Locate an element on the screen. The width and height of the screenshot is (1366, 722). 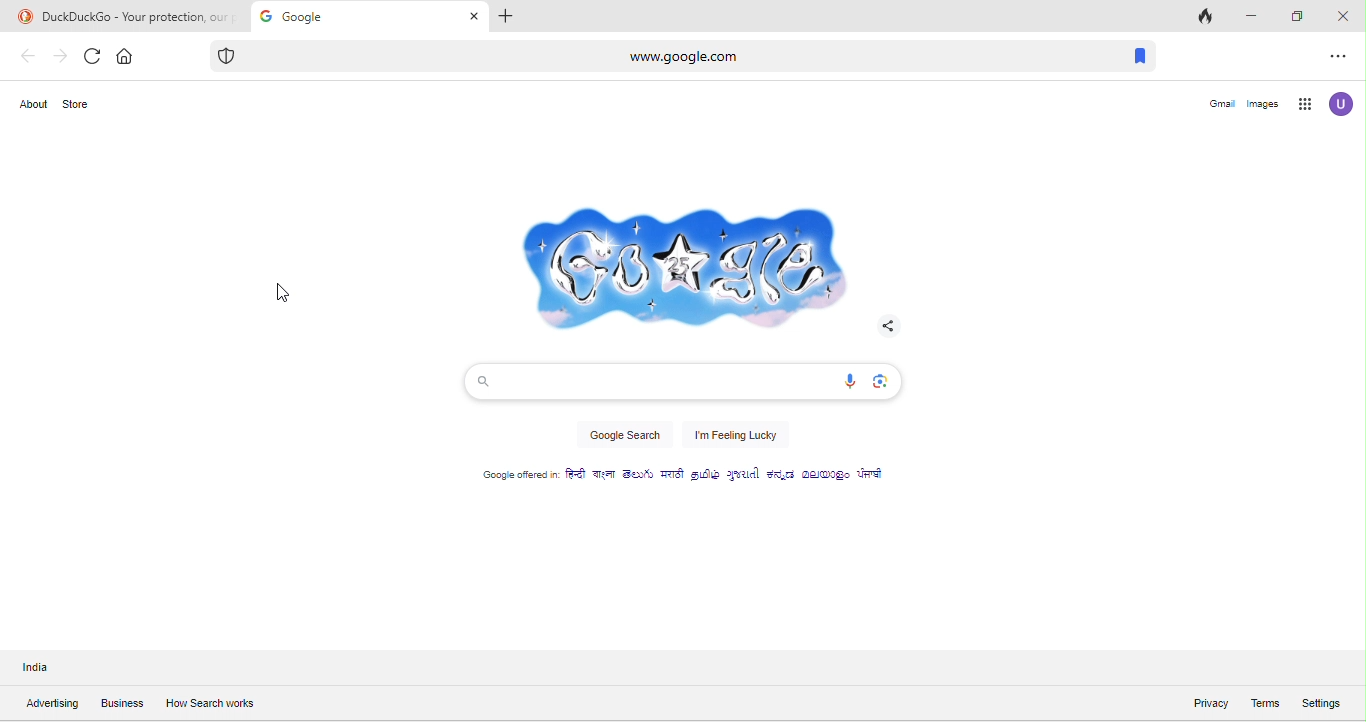
add tab is located at coordinates (510, 16).